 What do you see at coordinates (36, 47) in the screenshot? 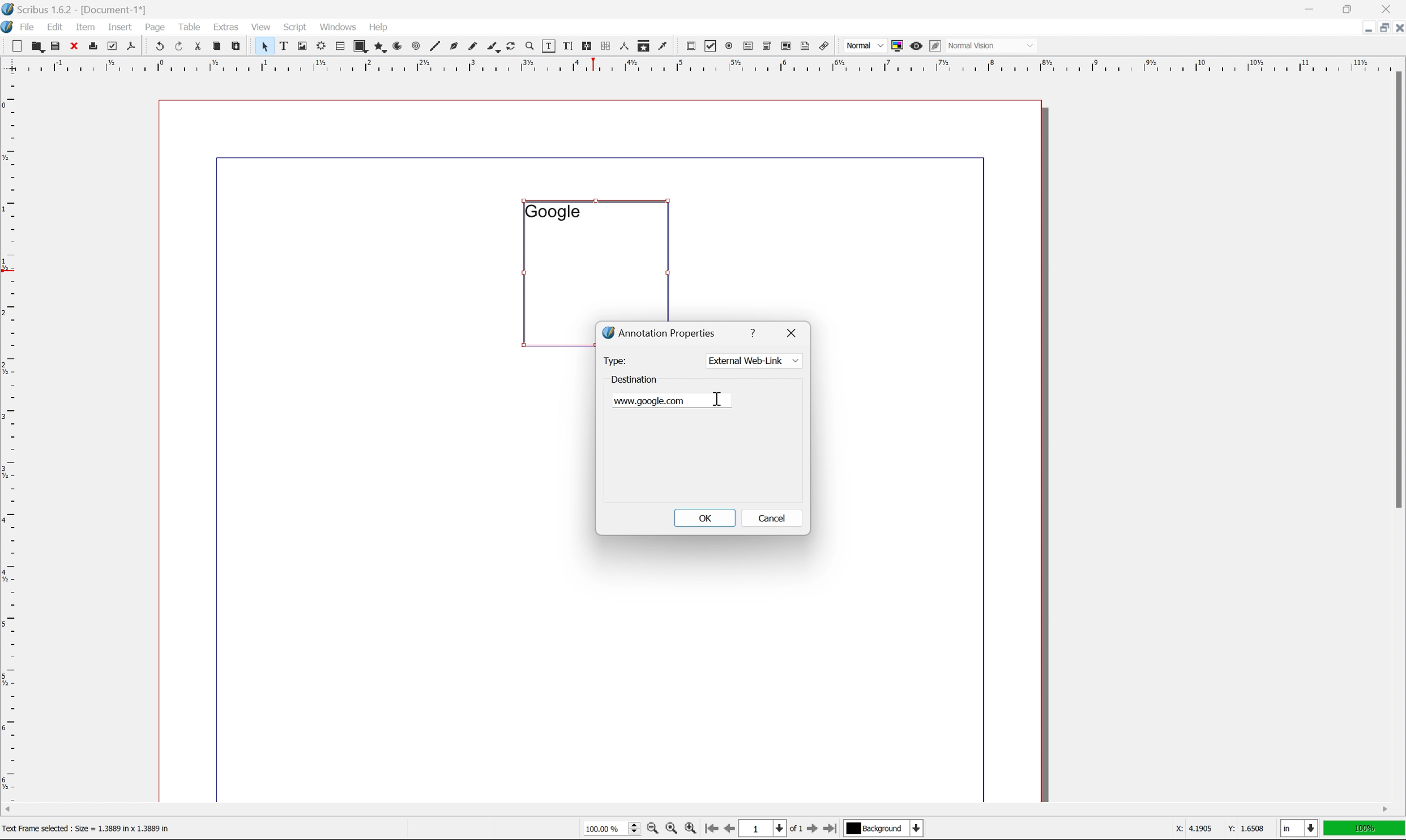
I see `open` at bounding box center [36, 47].